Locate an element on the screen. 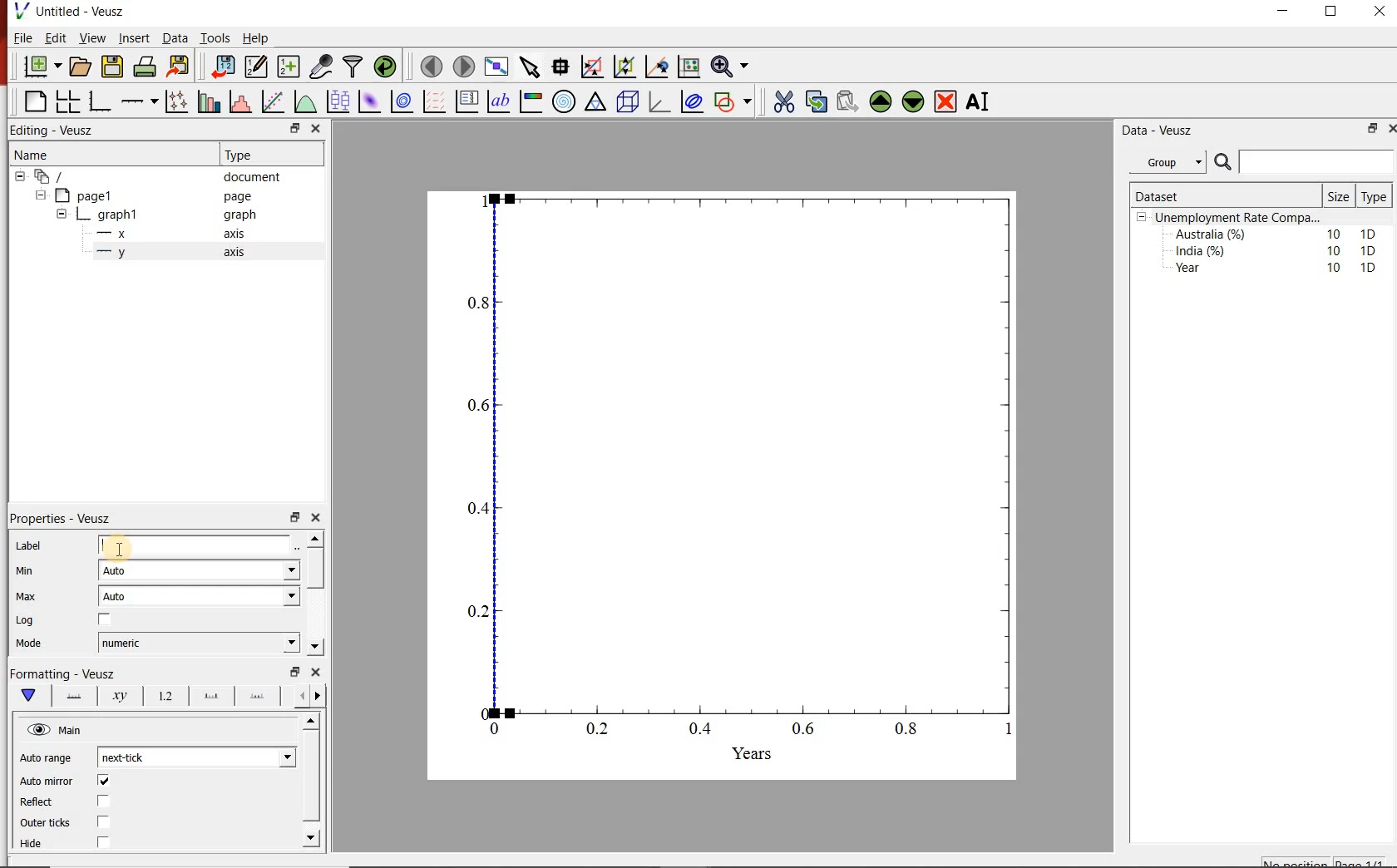 The image size is (1397, 868). create new datasets is located at coordinates (288, 67).